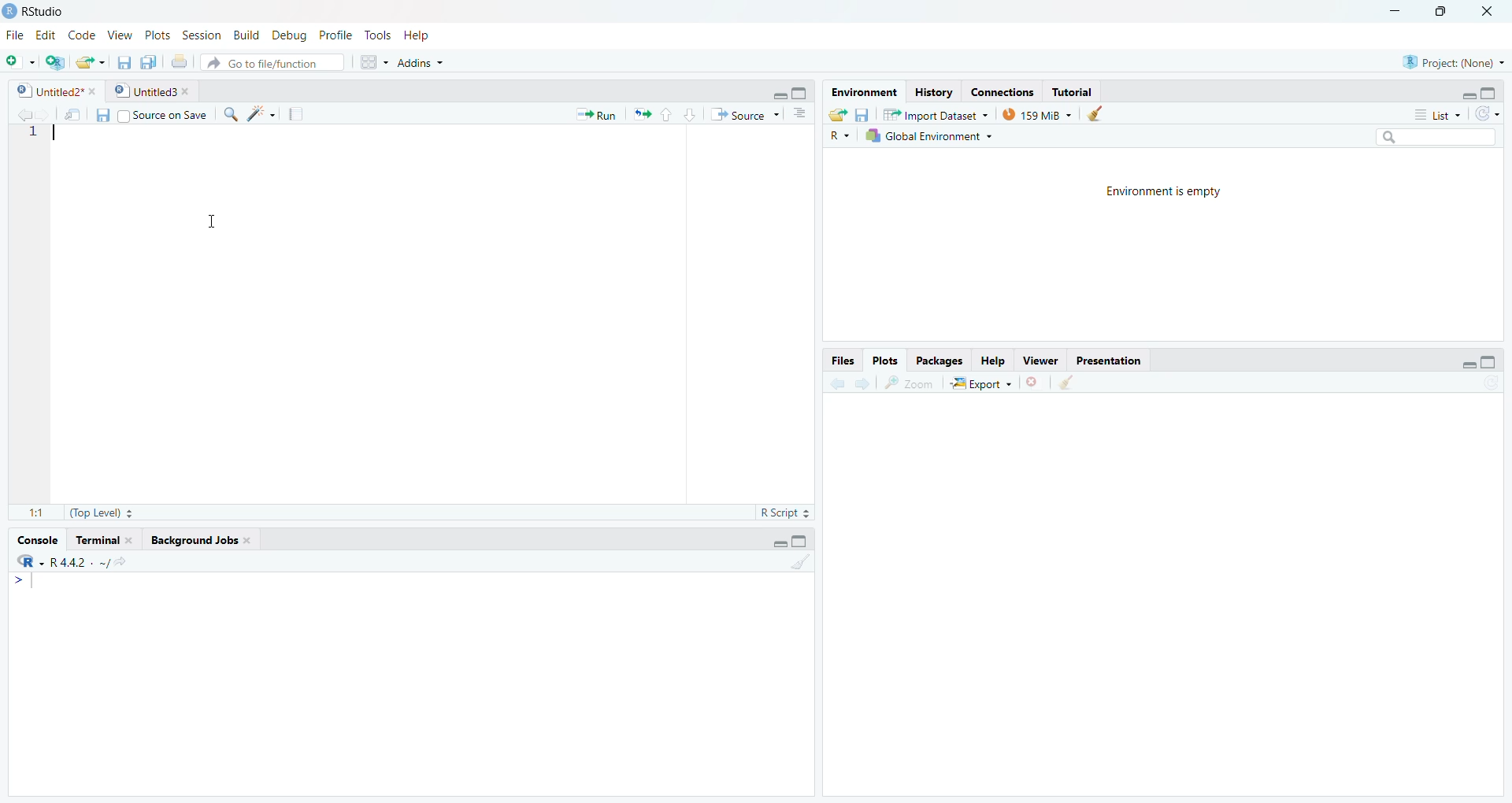 This screenshot has height=803, width=1512. What do you see at coordinates (421, 62) in the screenshot?
I see `addins` at bounding box center [421, 62].